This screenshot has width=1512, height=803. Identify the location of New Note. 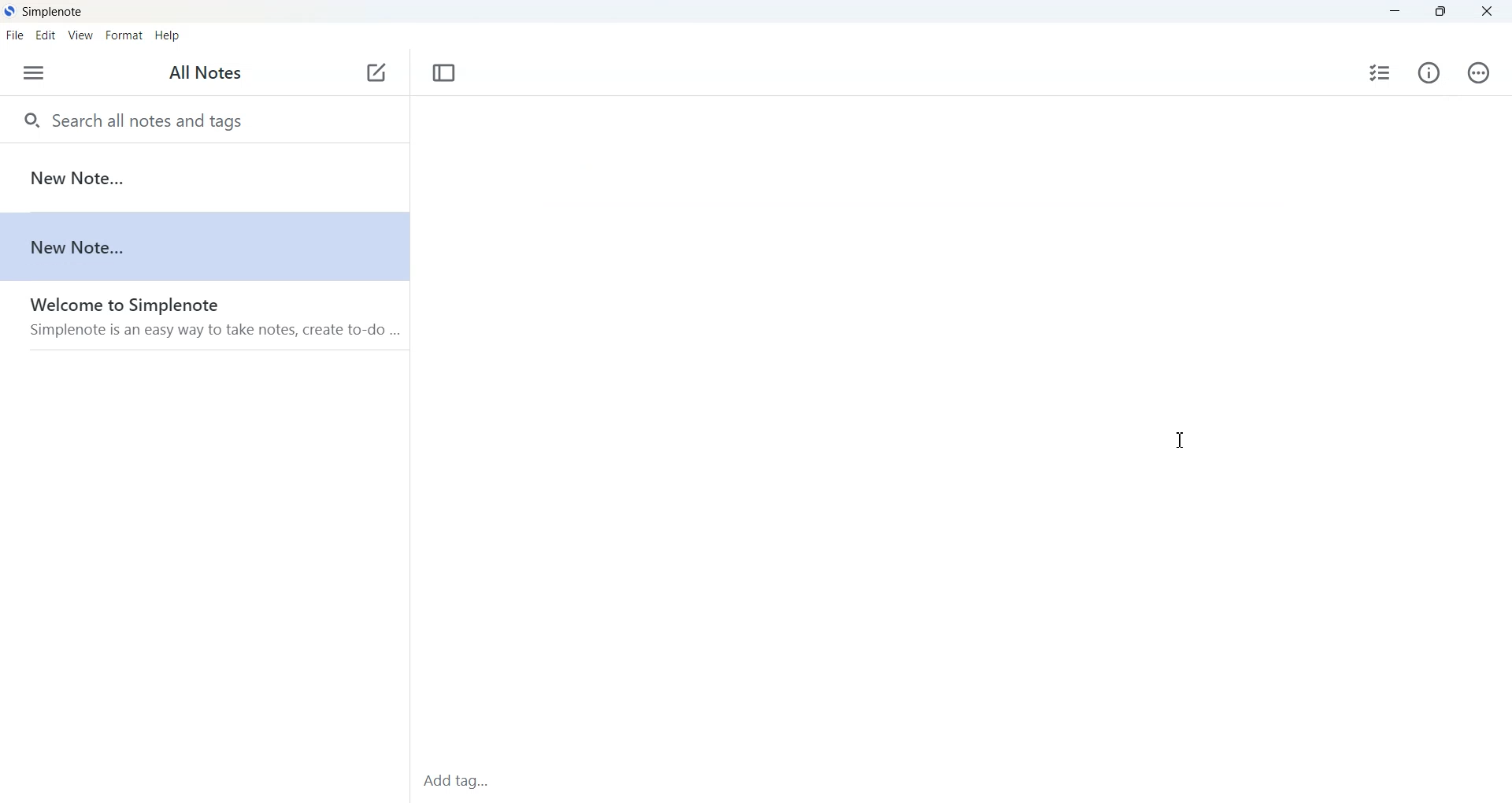
(204, 178).